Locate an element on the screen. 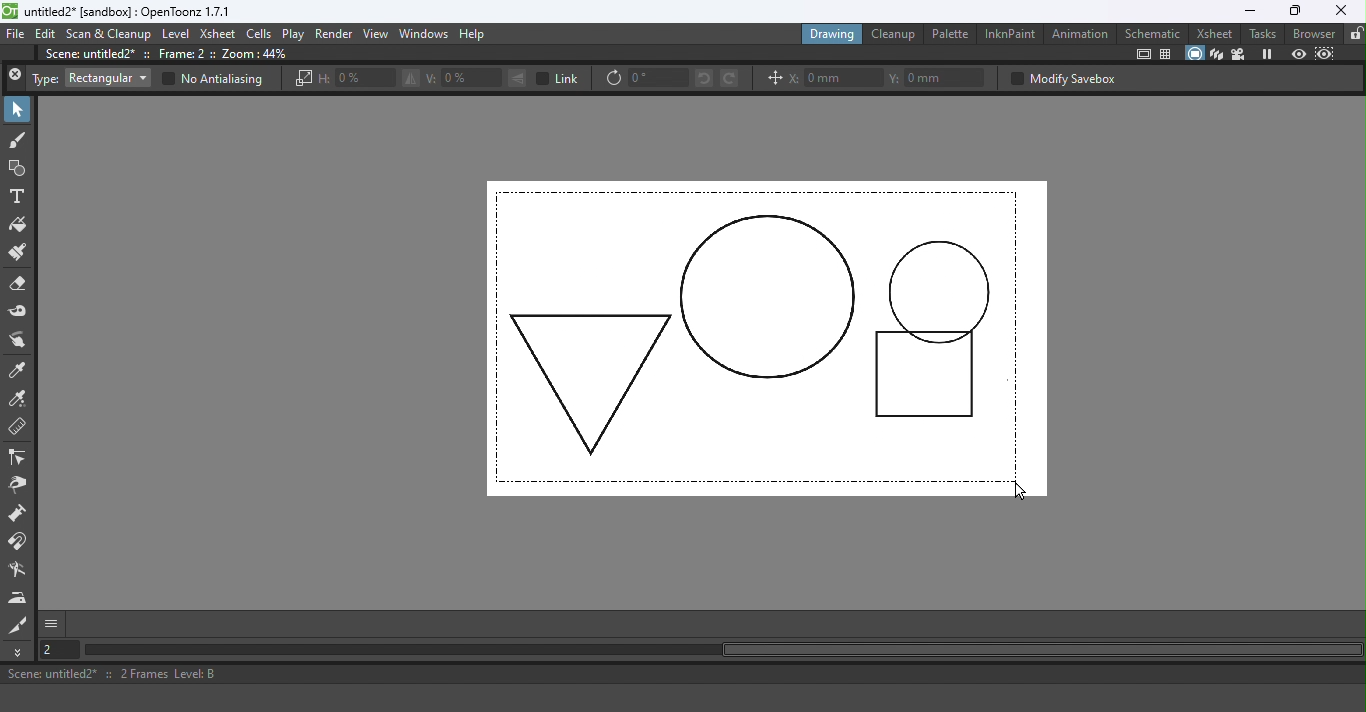  Eraser tool is located at coordinates (22, 284).